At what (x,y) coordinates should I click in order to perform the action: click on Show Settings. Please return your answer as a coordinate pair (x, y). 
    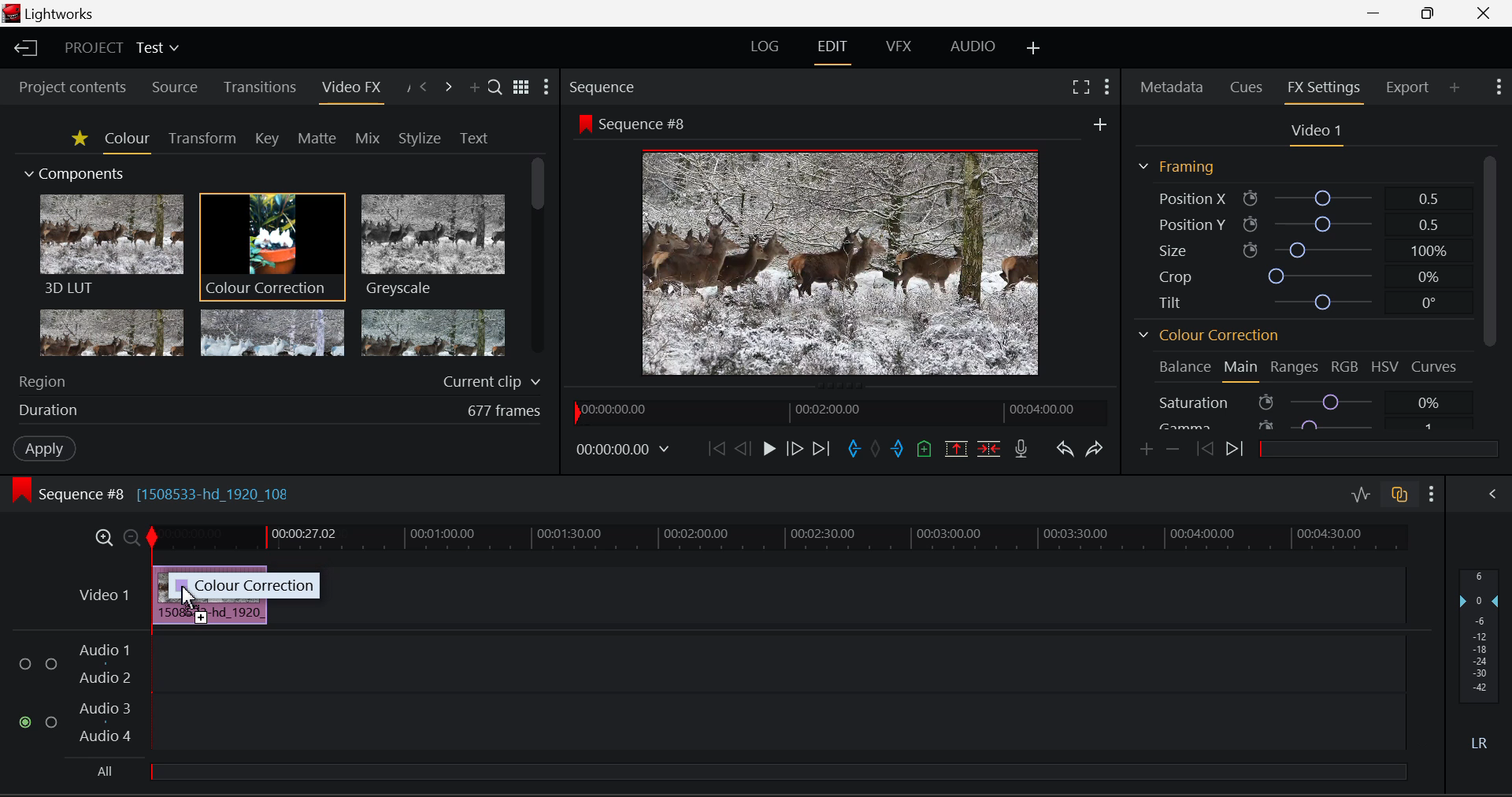
    Looking at the image, I should click on (1501, 87).